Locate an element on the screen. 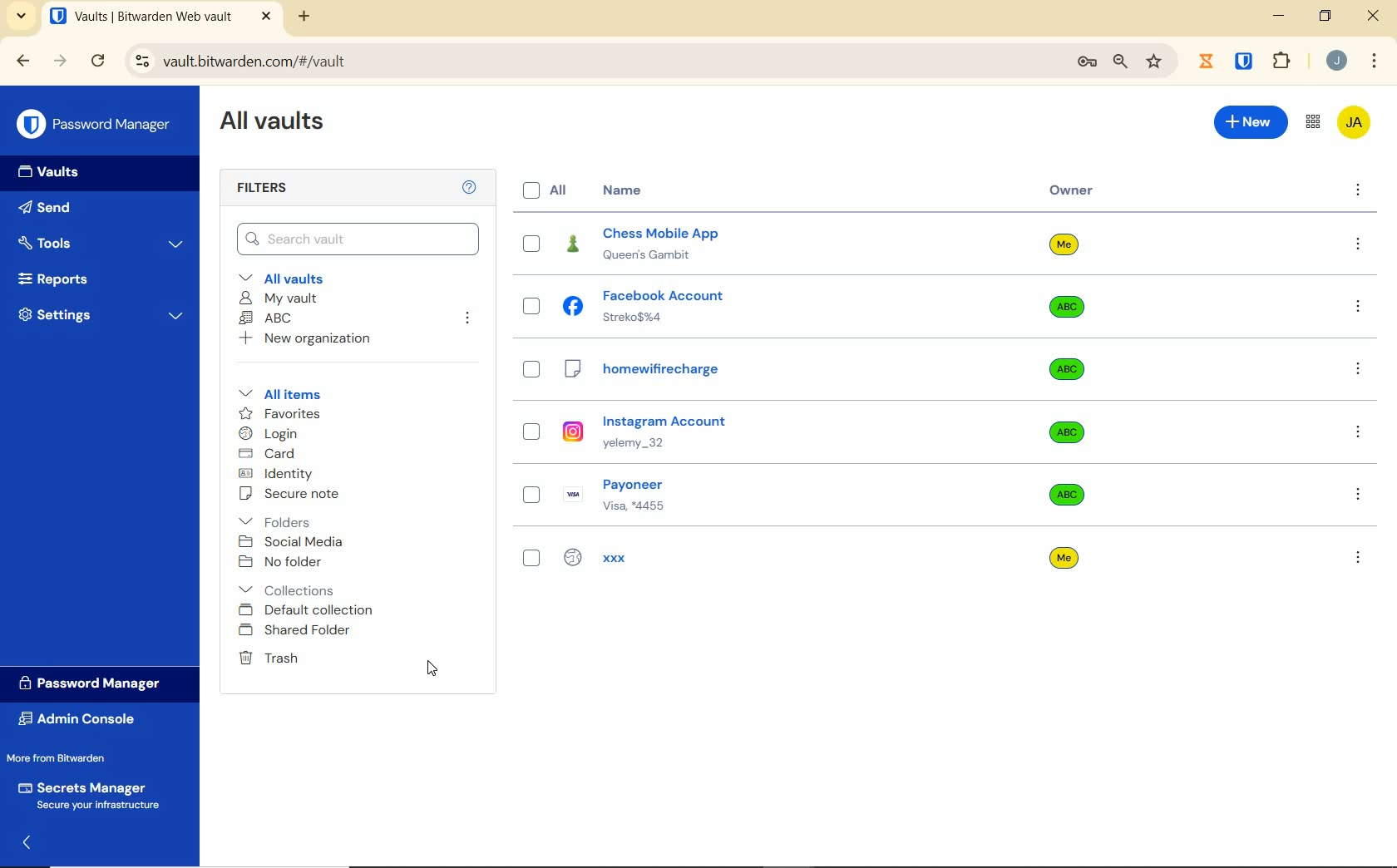  forward is located at coordinates (61, 62).